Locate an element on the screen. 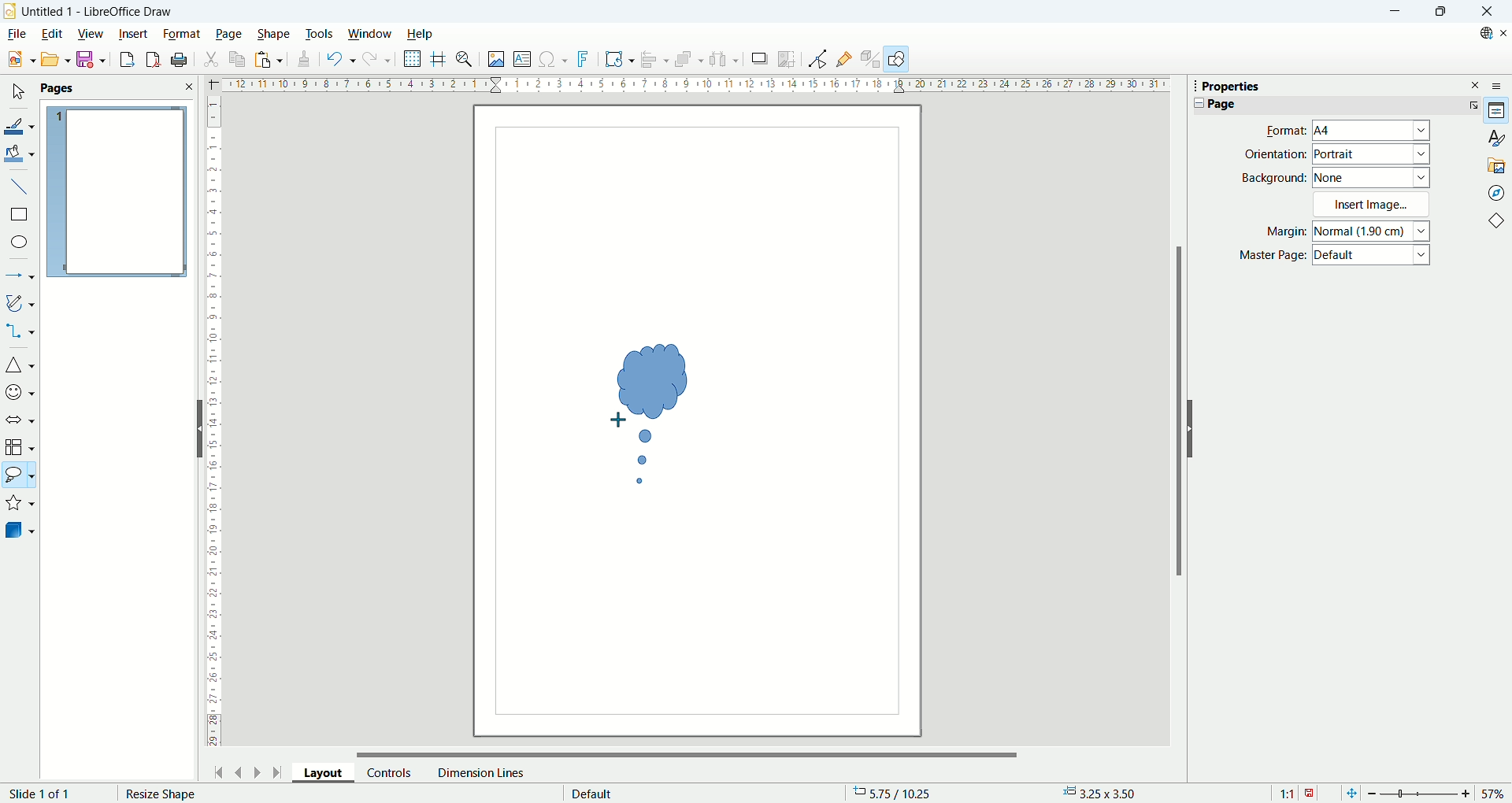  A4 is located at coordinates (1373, 131).